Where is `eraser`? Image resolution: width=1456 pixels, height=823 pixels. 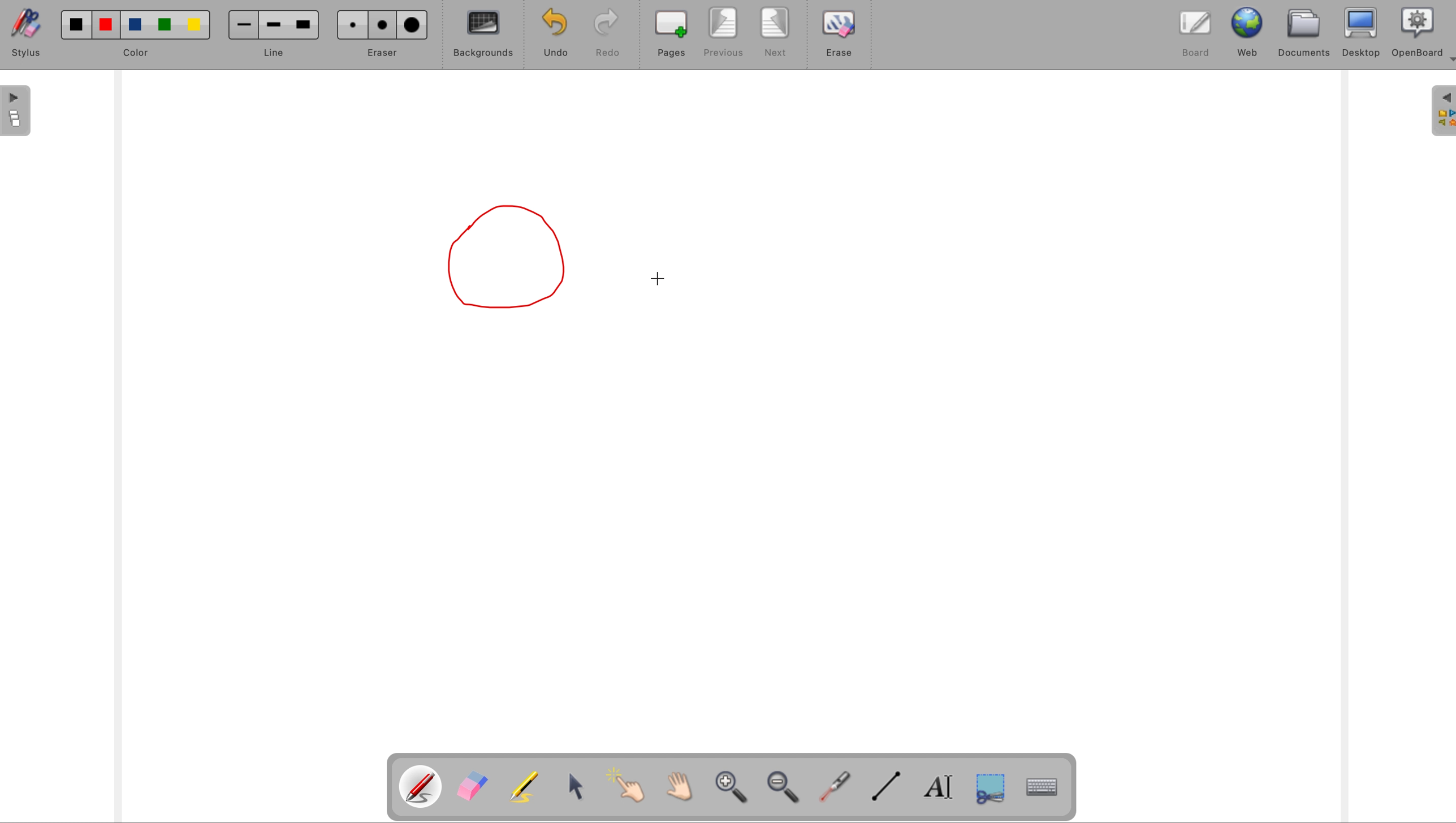
eraser is located at coordinates (384, 34).